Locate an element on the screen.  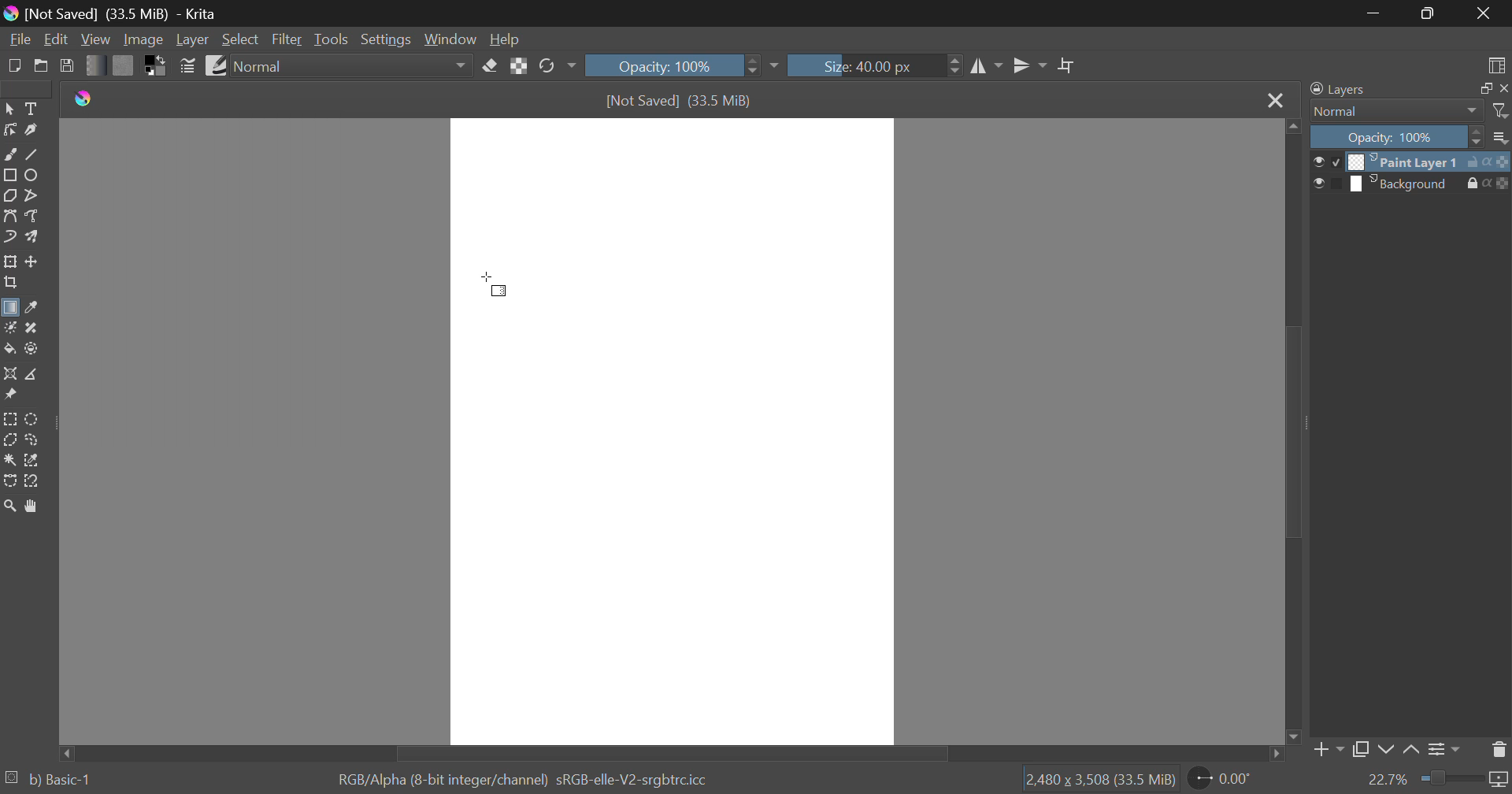
Paint Layer 1 is located at coordinates (1405, 160).